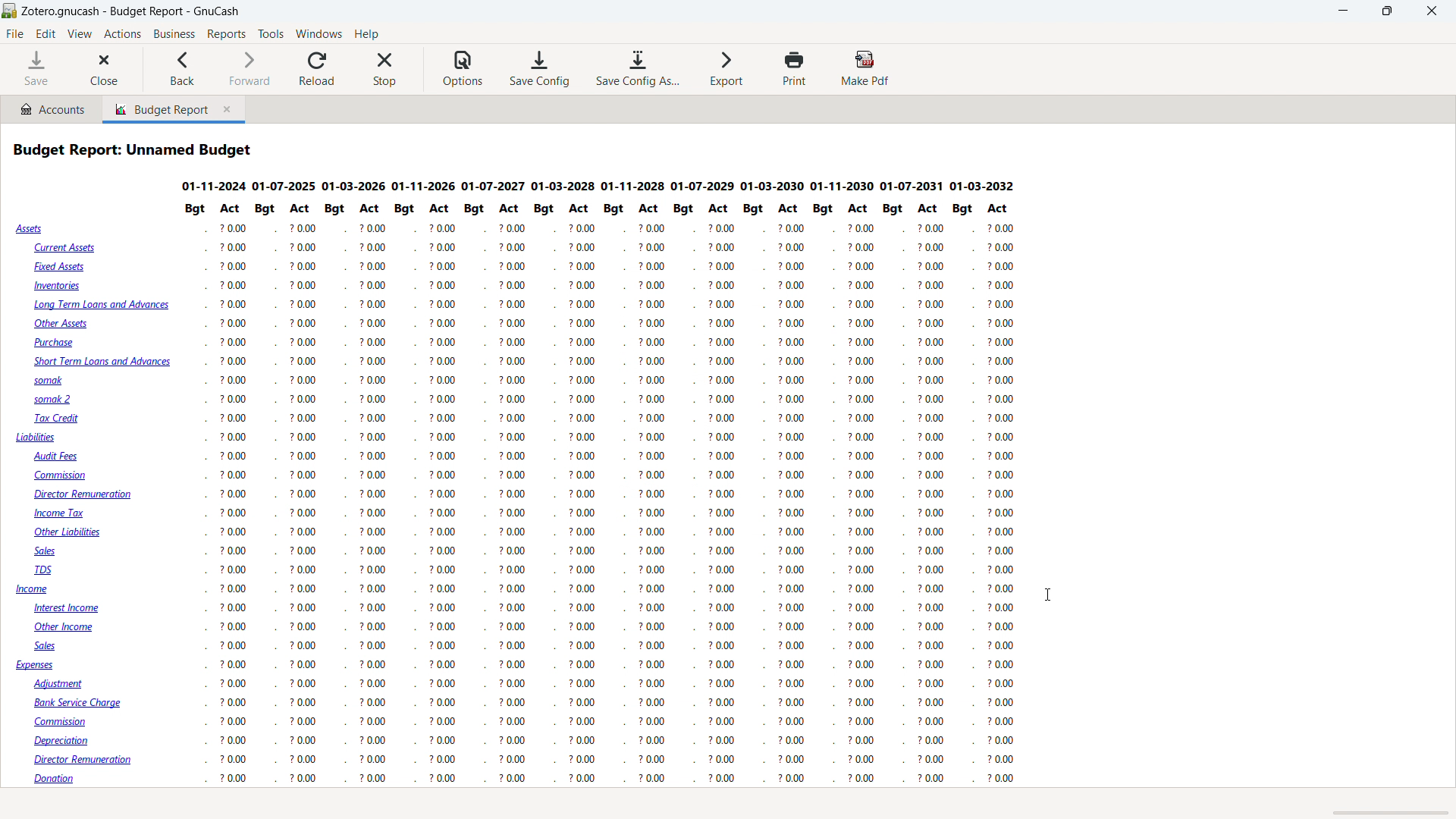 The width and height of the screenshot is (1456, 819). What do you see at coordinates (271, 34) in the screenshot?
I see `tools` at bounding box center [271, 34].